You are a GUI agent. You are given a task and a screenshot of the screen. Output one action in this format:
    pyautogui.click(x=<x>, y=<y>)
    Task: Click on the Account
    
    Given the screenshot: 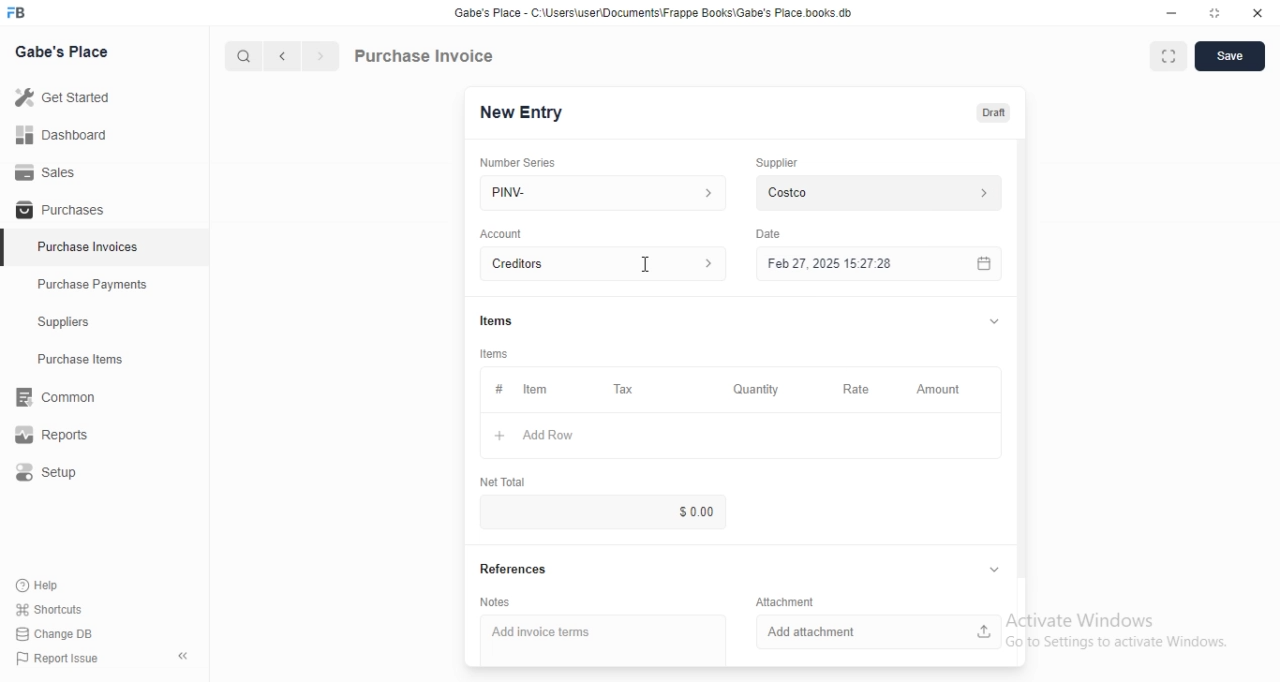 What is the action you would take?
    pyautogui.click(x=501, y=234)
    